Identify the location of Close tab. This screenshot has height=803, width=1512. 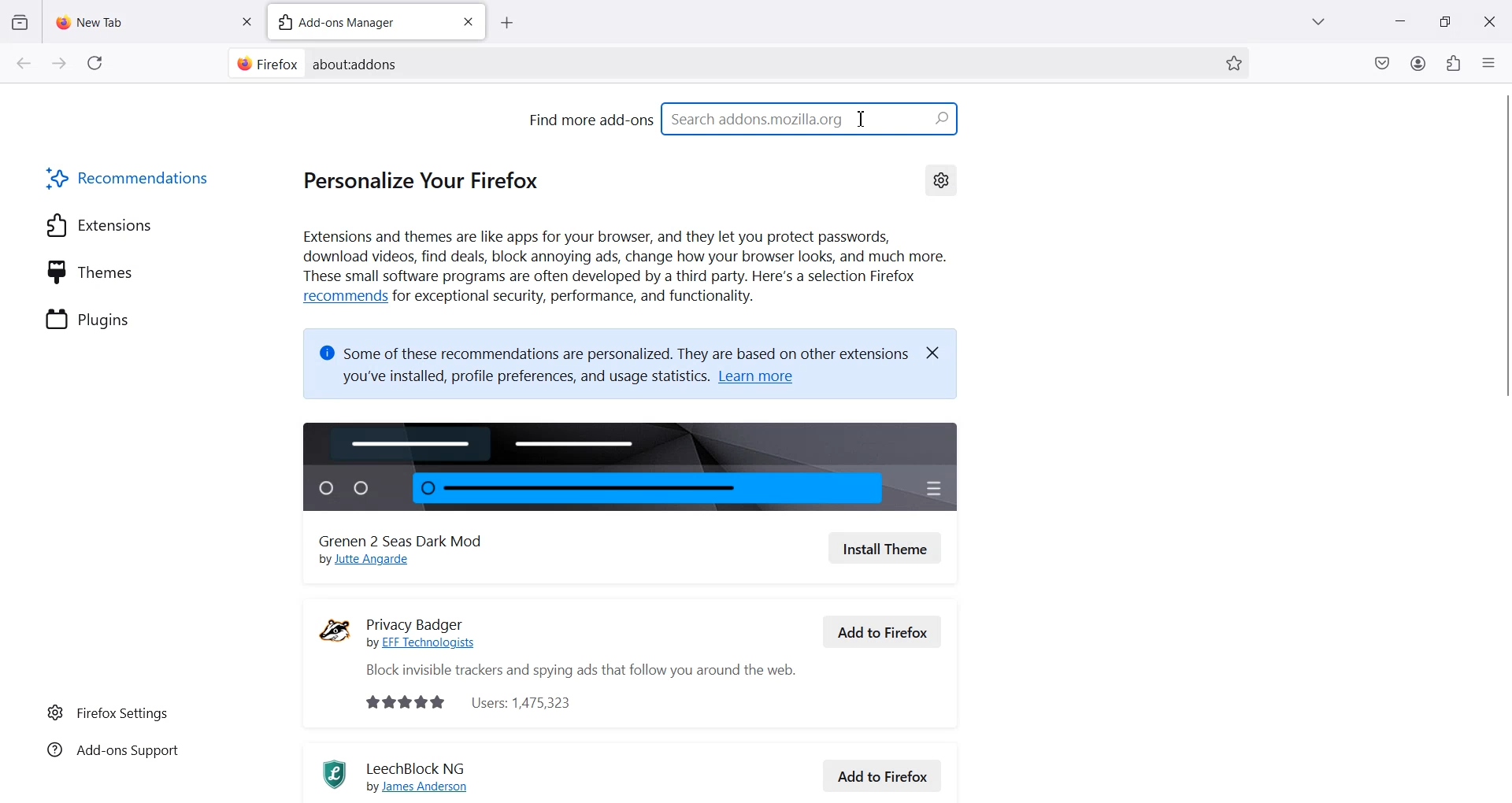
(246, 20).